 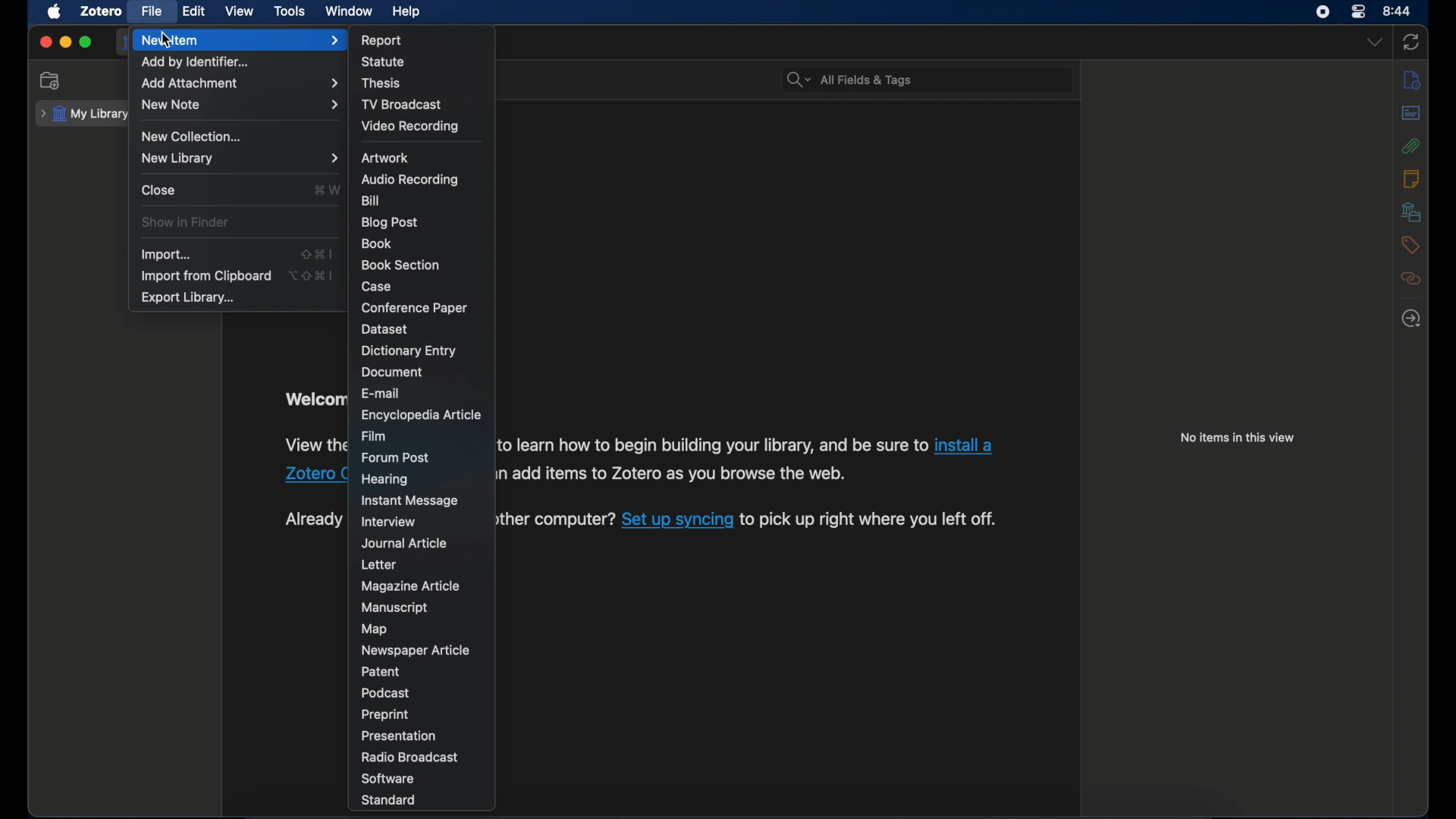 What do you see at coordinates (386, 62) in the screenshot?
I see `statue` at bounding box center [386, 62].